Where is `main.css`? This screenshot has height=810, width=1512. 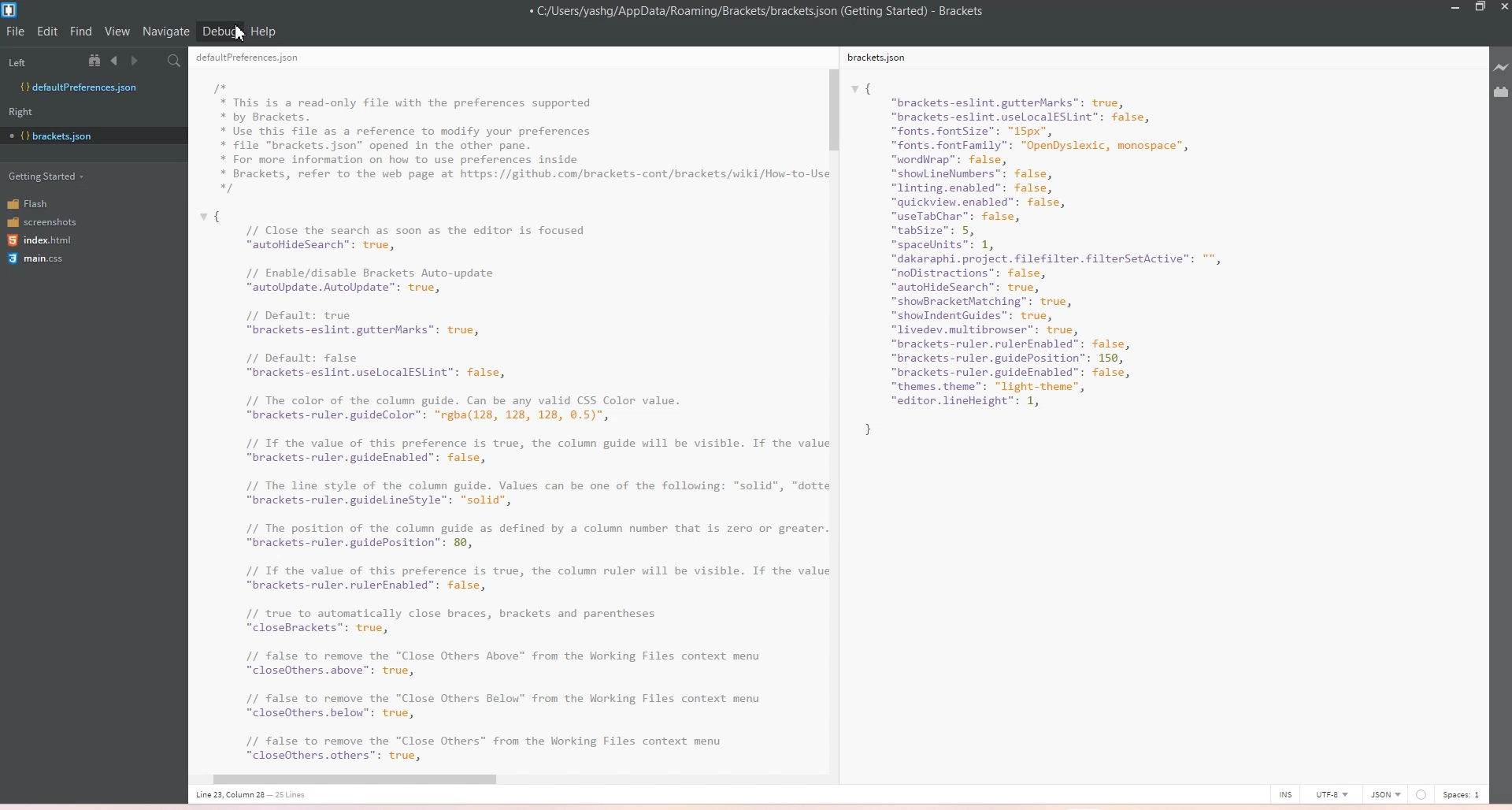
main.css is located at coordinates (39, 261).